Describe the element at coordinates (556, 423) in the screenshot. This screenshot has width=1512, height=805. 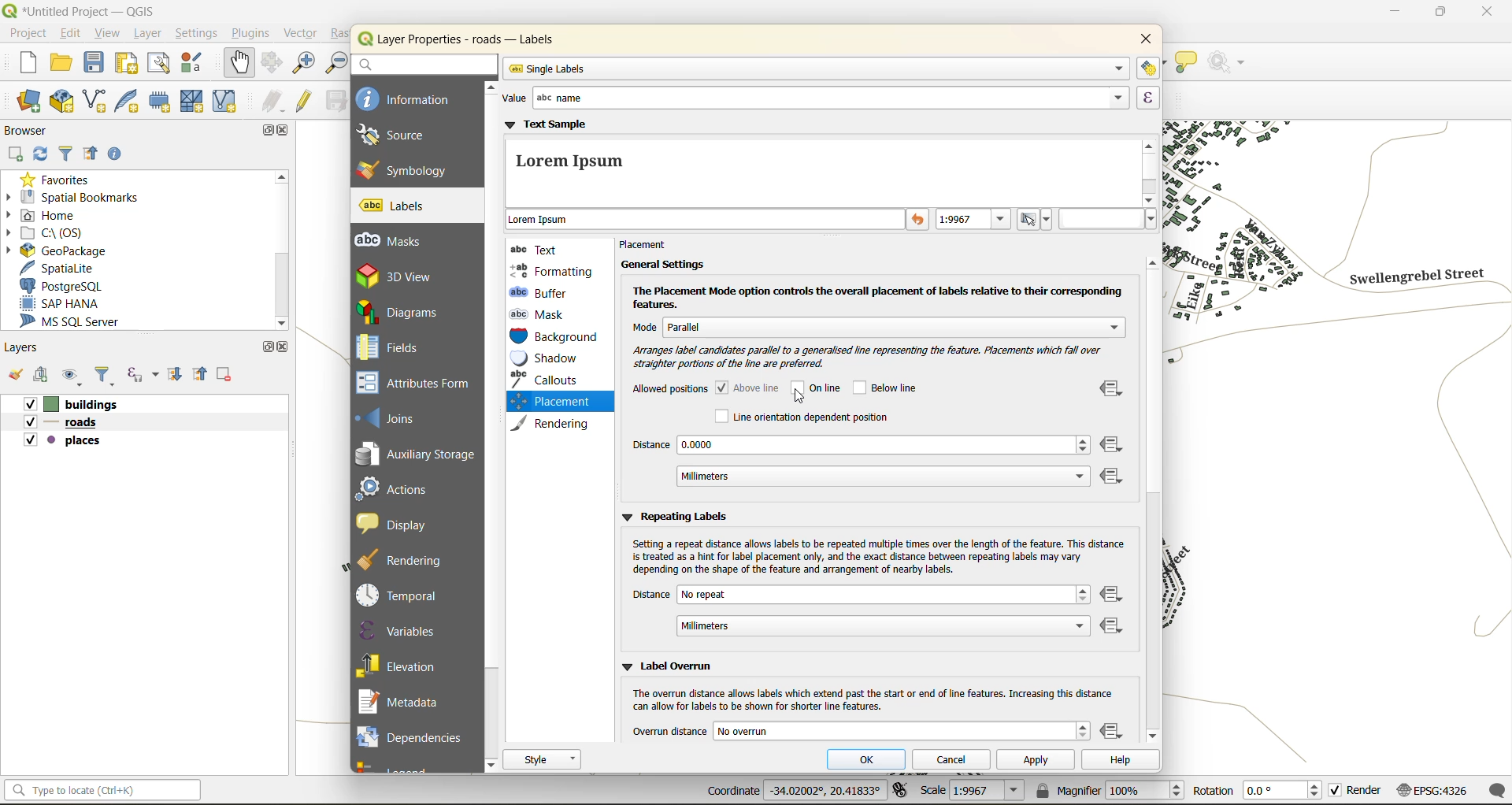
I see `rendering` at that location.